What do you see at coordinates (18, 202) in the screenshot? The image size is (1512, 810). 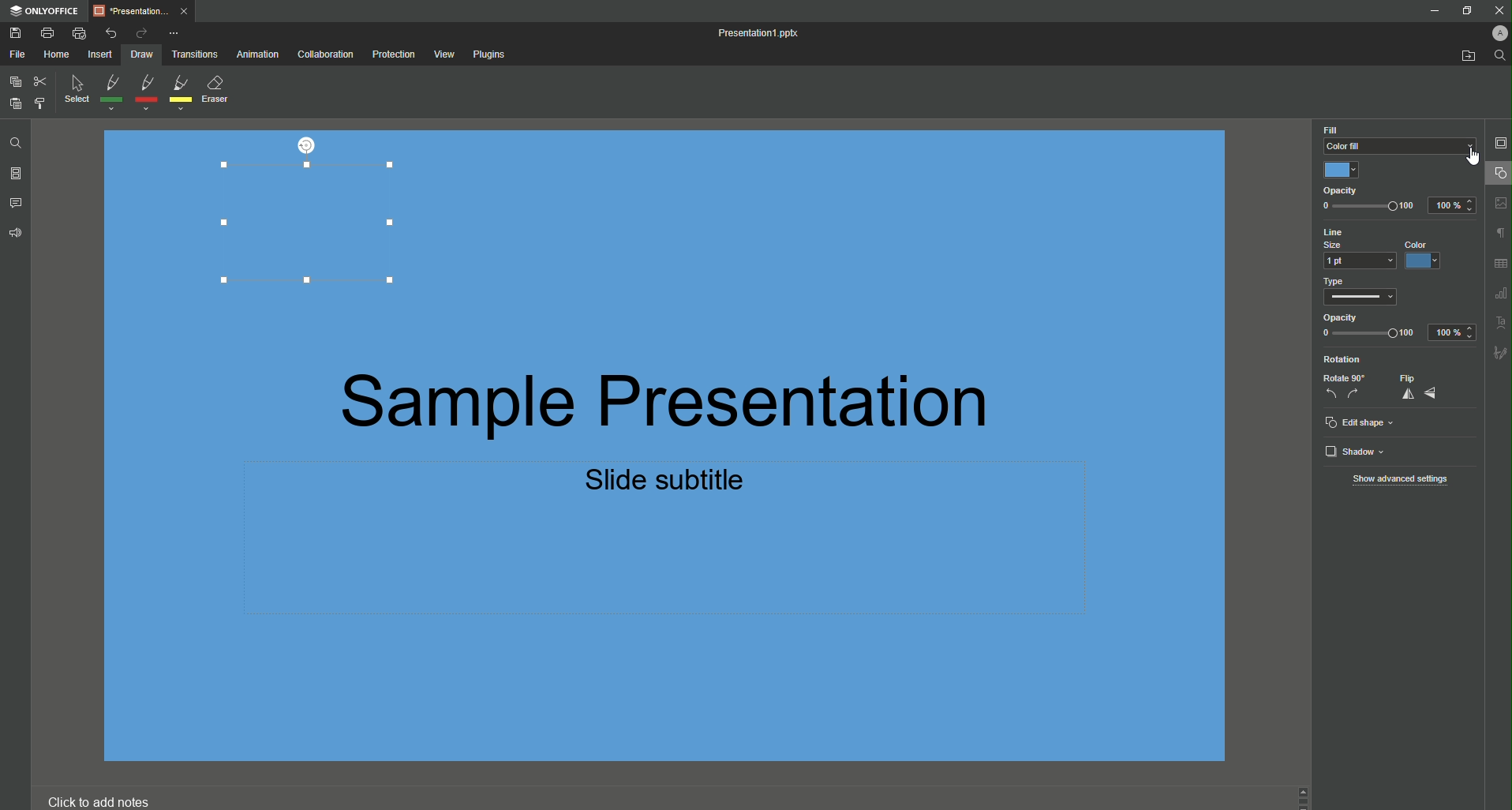 I see `Comments` at bounding box center [18, 202].